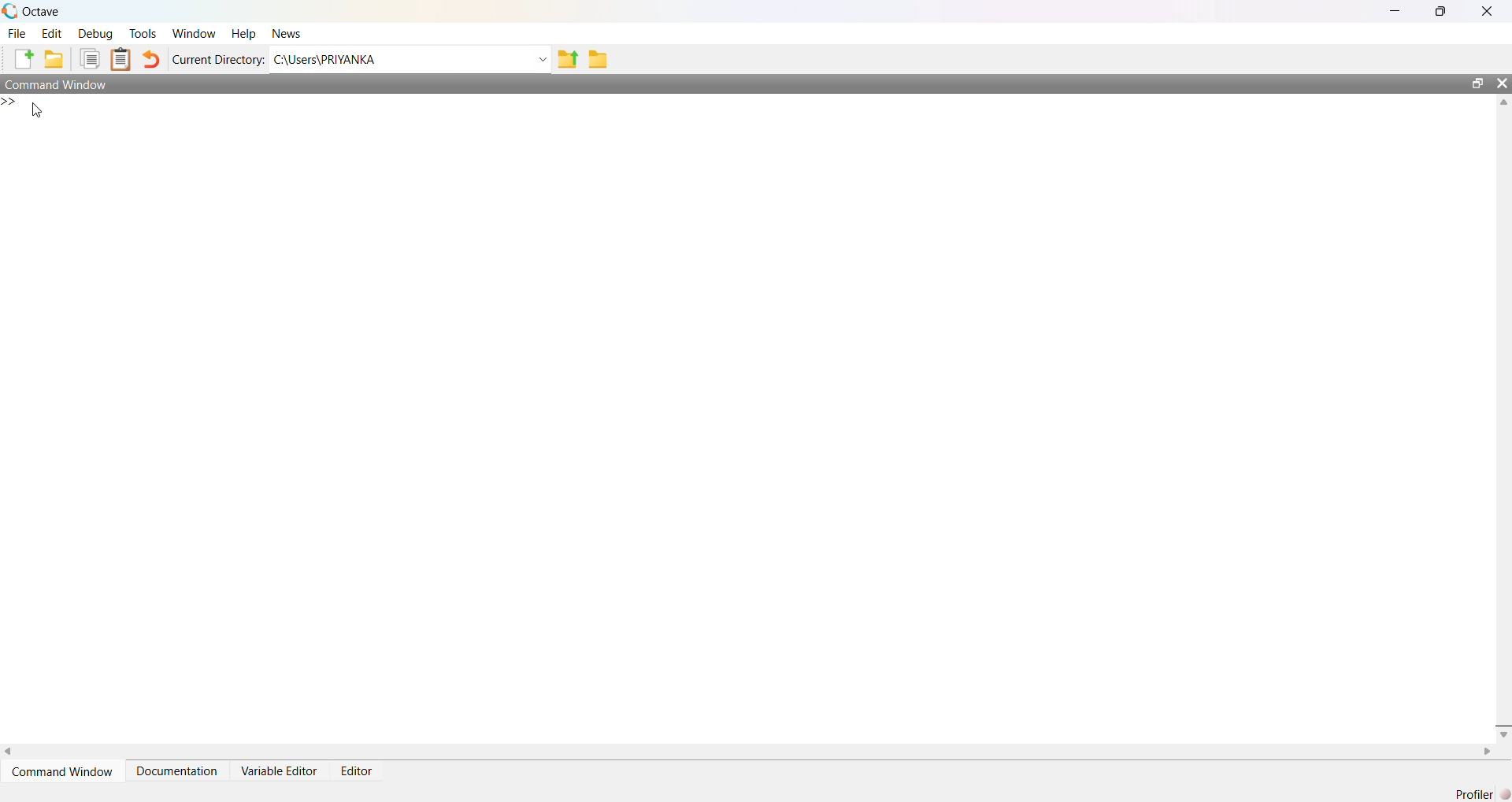 The width and height of the screenshot is (1512, 802). I want to click on file, so click(19, 32).